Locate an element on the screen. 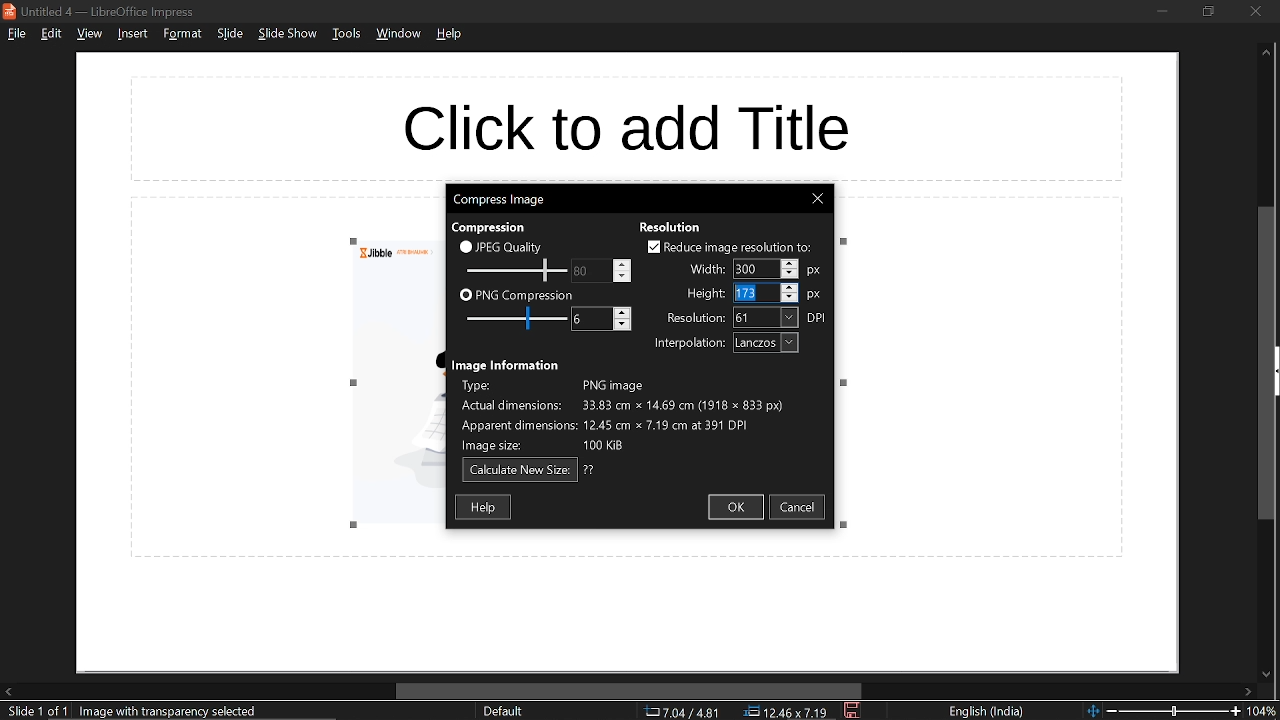 The image size is (1280, 720). Increase  is located at coordinates (791, 286).